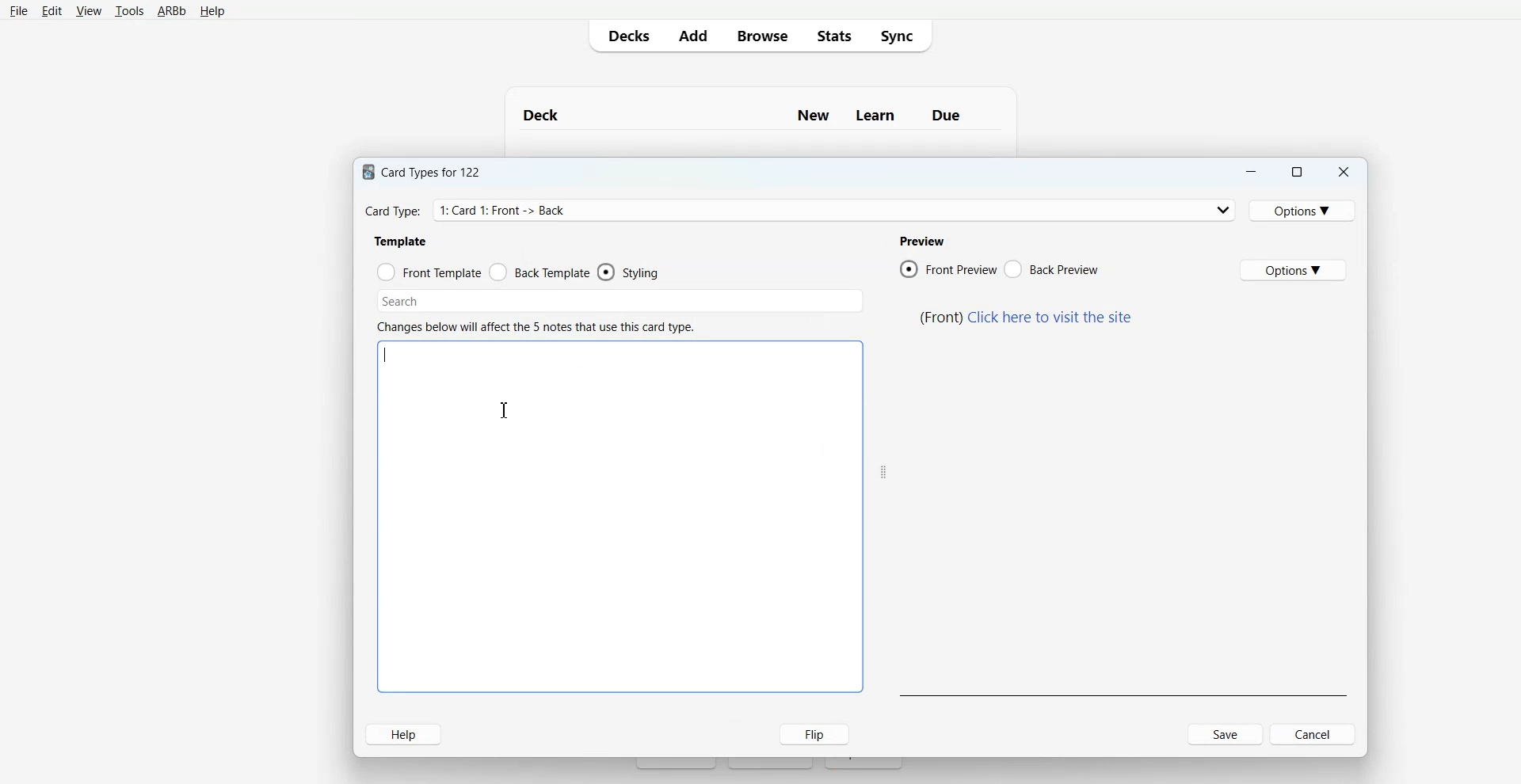 The width and height of the screenshot is (1521, 784). Describe the element at coordinates (405, 242) in the screenshot. I see `text 2` at that location.